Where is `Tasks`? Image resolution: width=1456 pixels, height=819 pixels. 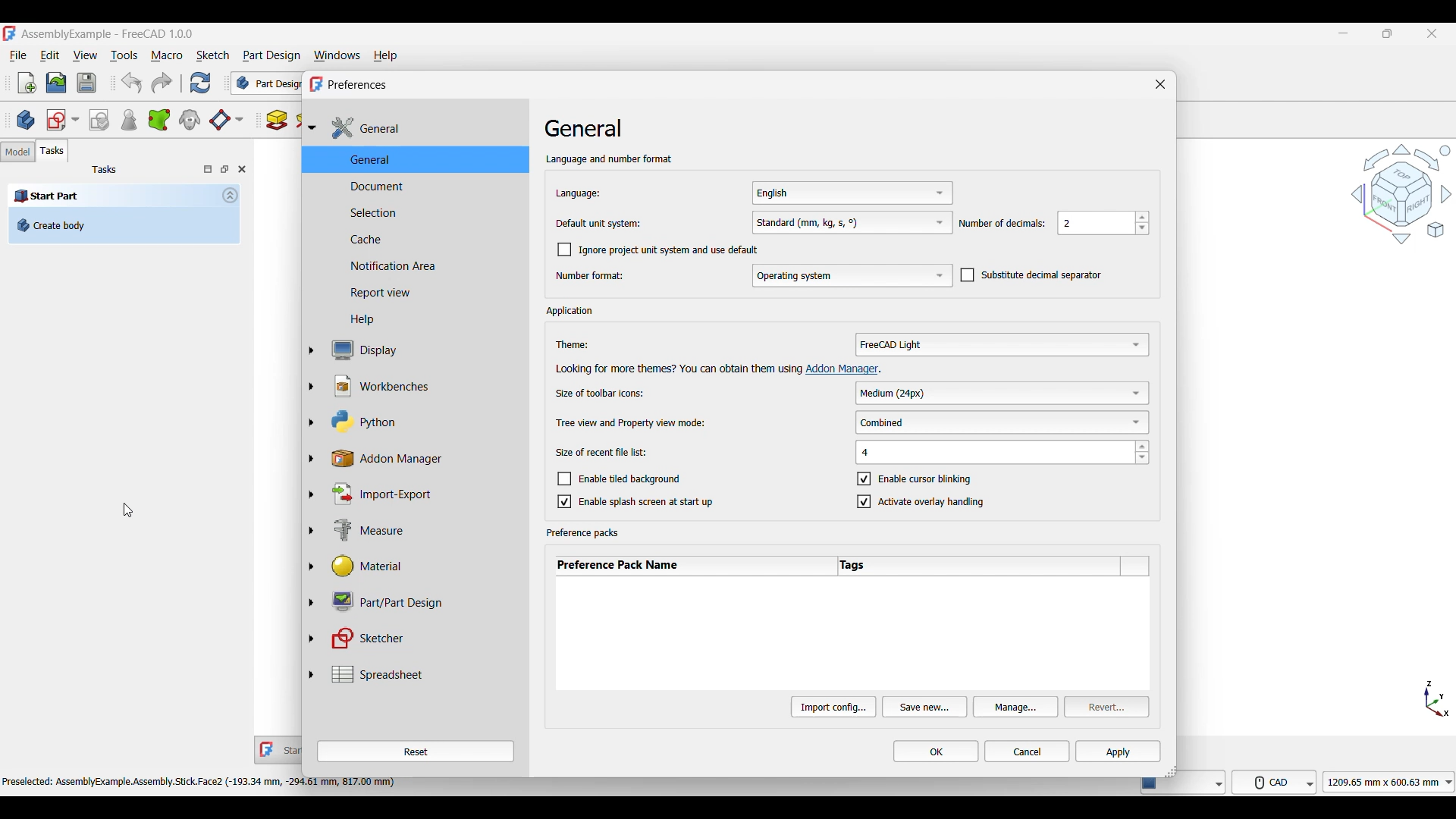
Tasks is located at coordinates (52, 151).